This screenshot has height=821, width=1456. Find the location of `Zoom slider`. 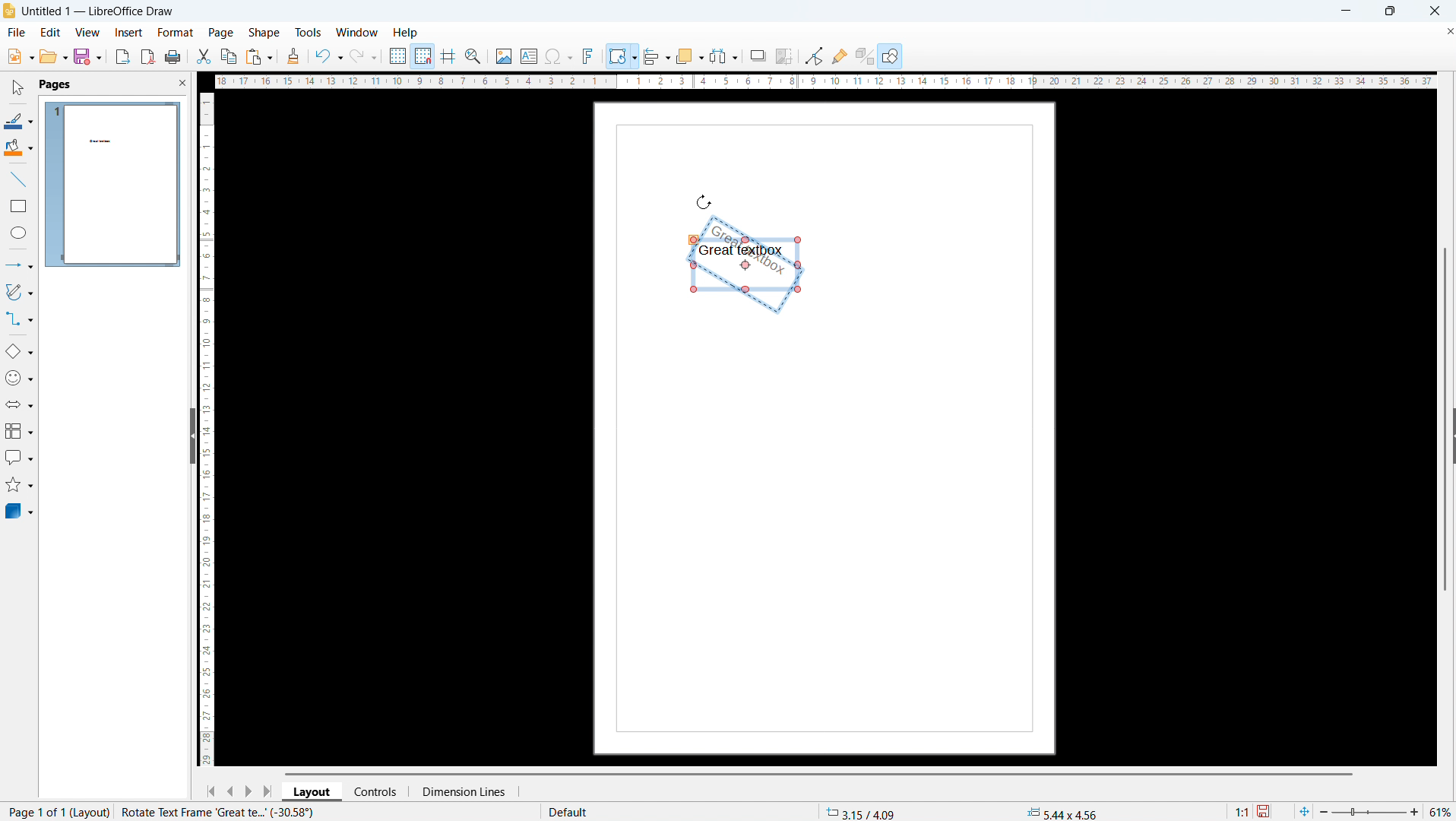

Zoom slider is located at coordinates (1371, 813).